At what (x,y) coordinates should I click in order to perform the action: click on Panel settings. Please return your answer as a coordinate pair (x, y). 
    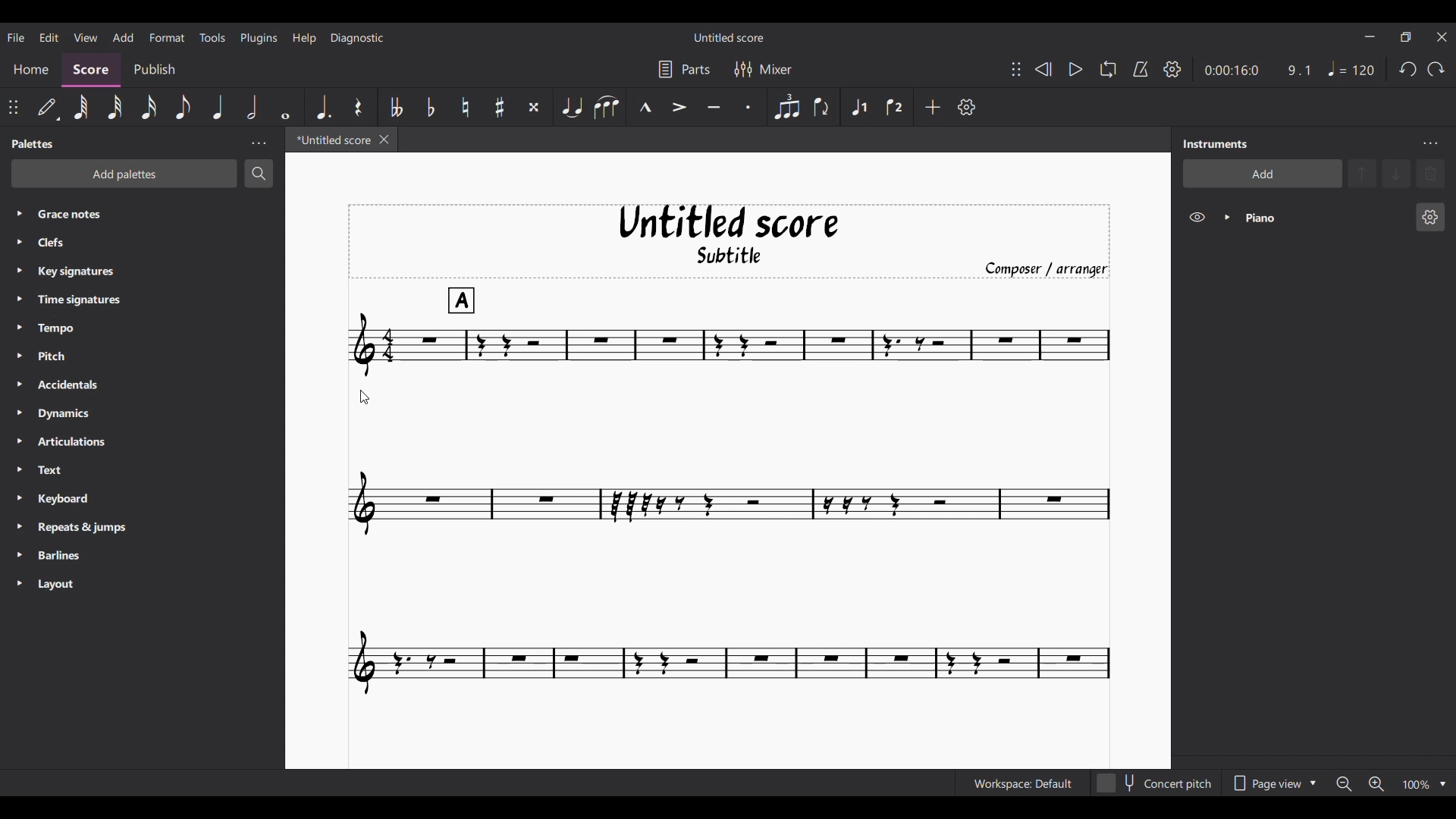
    Looking at the image, I should click on (259, 143).